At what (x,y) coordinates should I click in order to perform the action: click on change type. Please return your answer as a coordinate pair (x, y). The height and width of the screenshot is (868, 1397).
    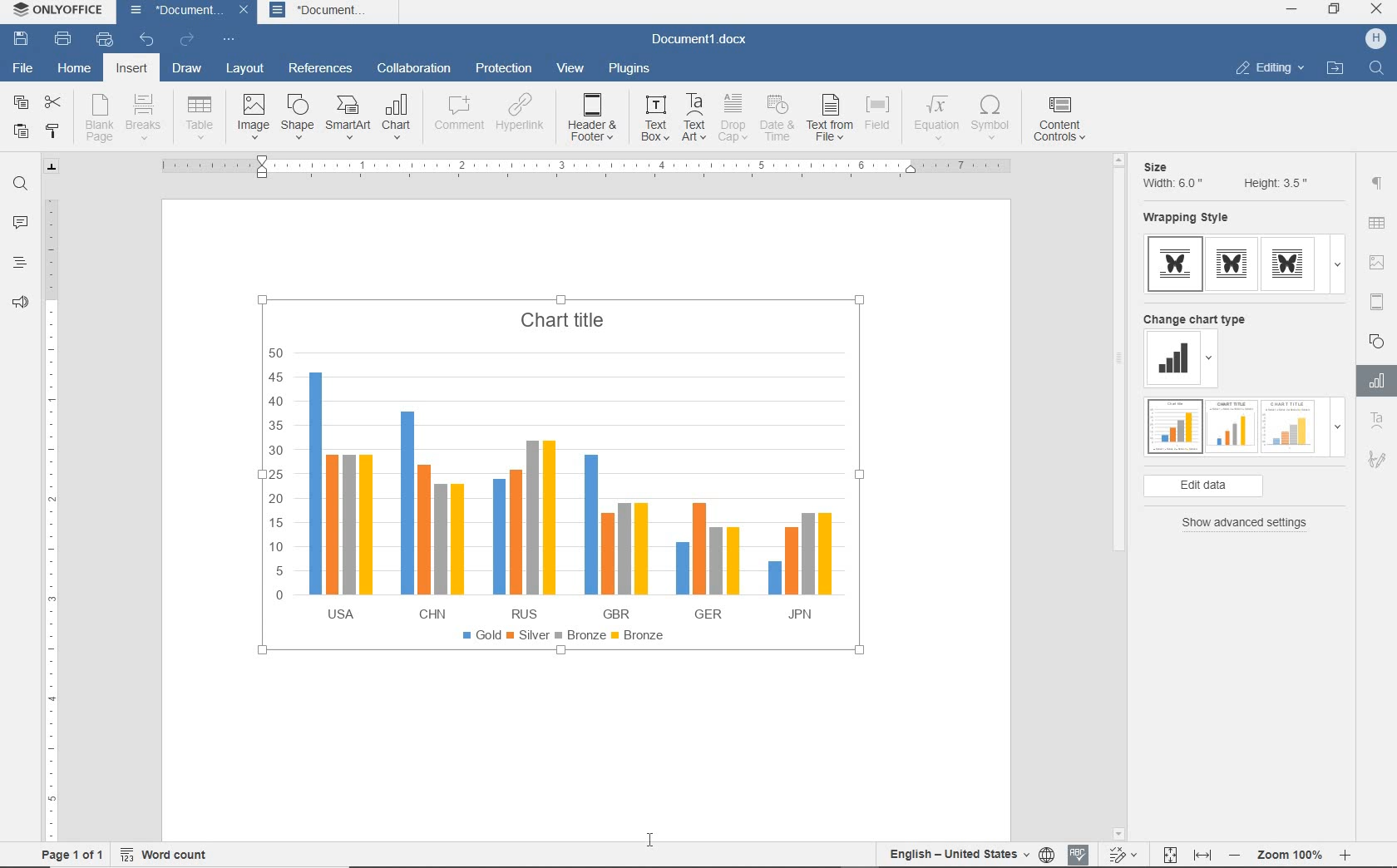
    Looking at the image, I should click on (1173, 359).